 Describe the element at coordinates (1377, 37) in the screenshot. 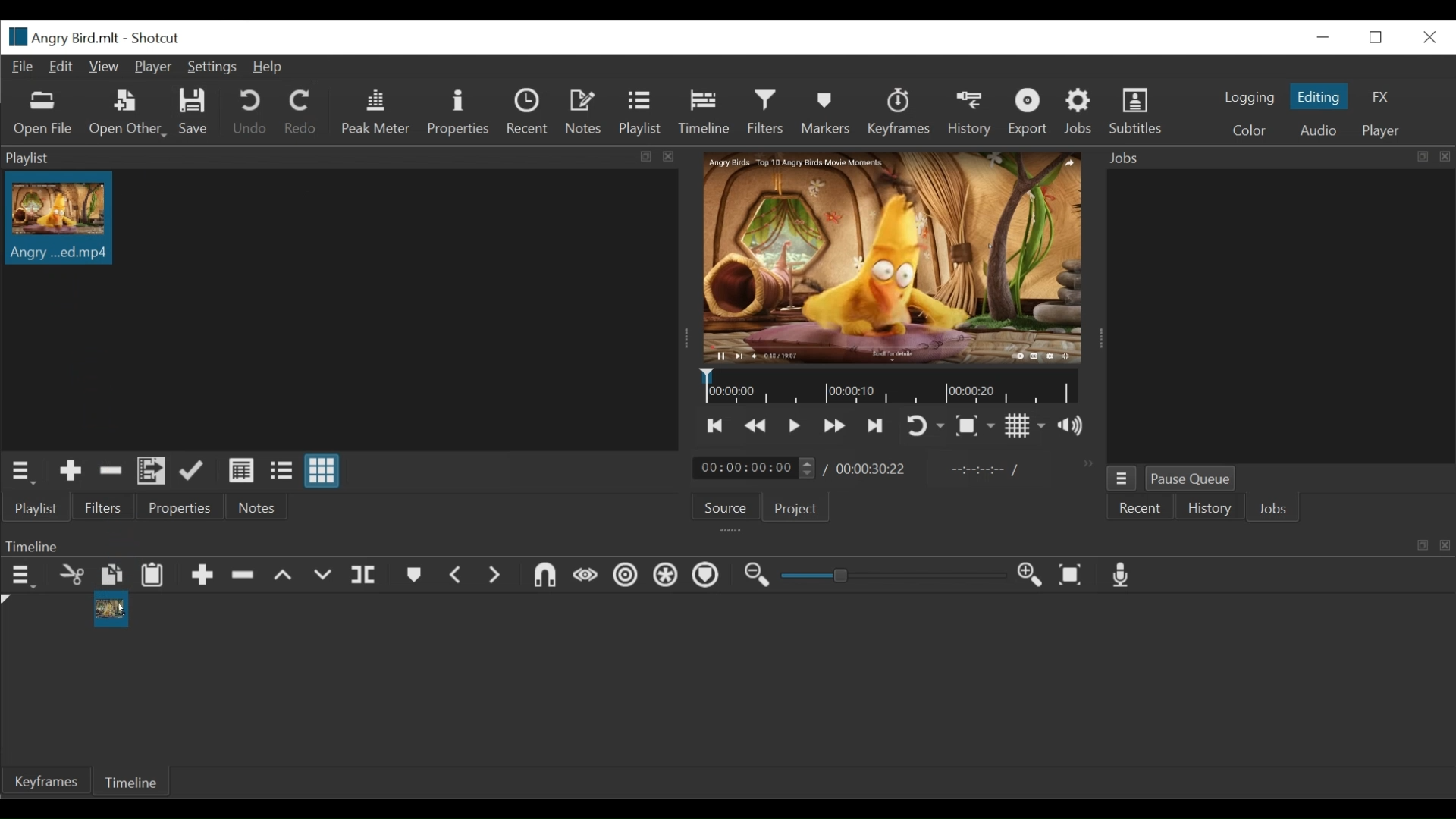

I see `Restore` at that location.